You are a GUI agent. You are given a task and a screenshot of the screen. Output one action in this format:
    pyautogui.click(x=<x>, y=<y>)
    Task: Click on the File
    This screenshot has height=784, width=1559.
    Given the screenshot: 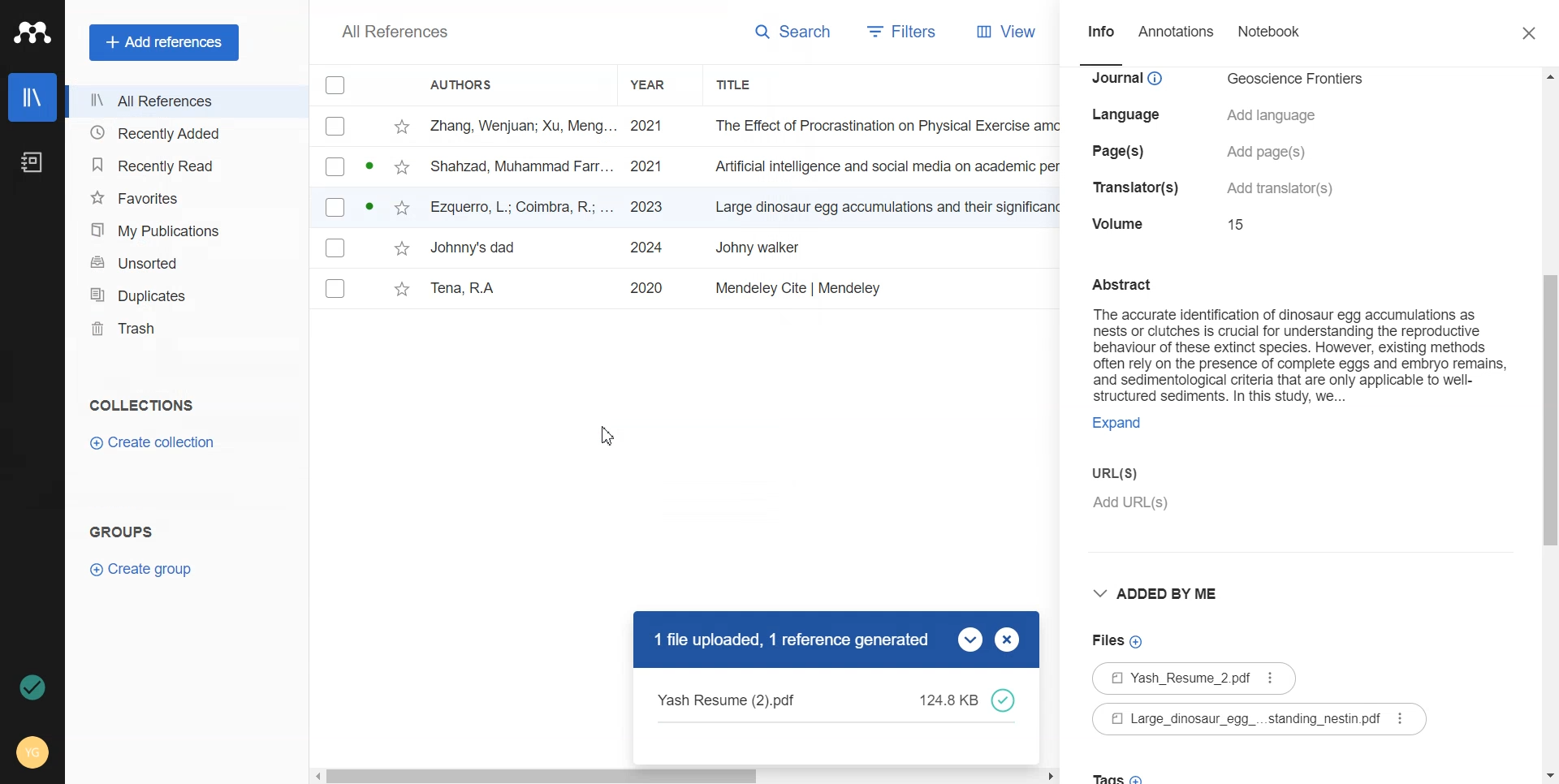 What is the action you would take?
    pyautogui.click(x=1236, y=721)
    